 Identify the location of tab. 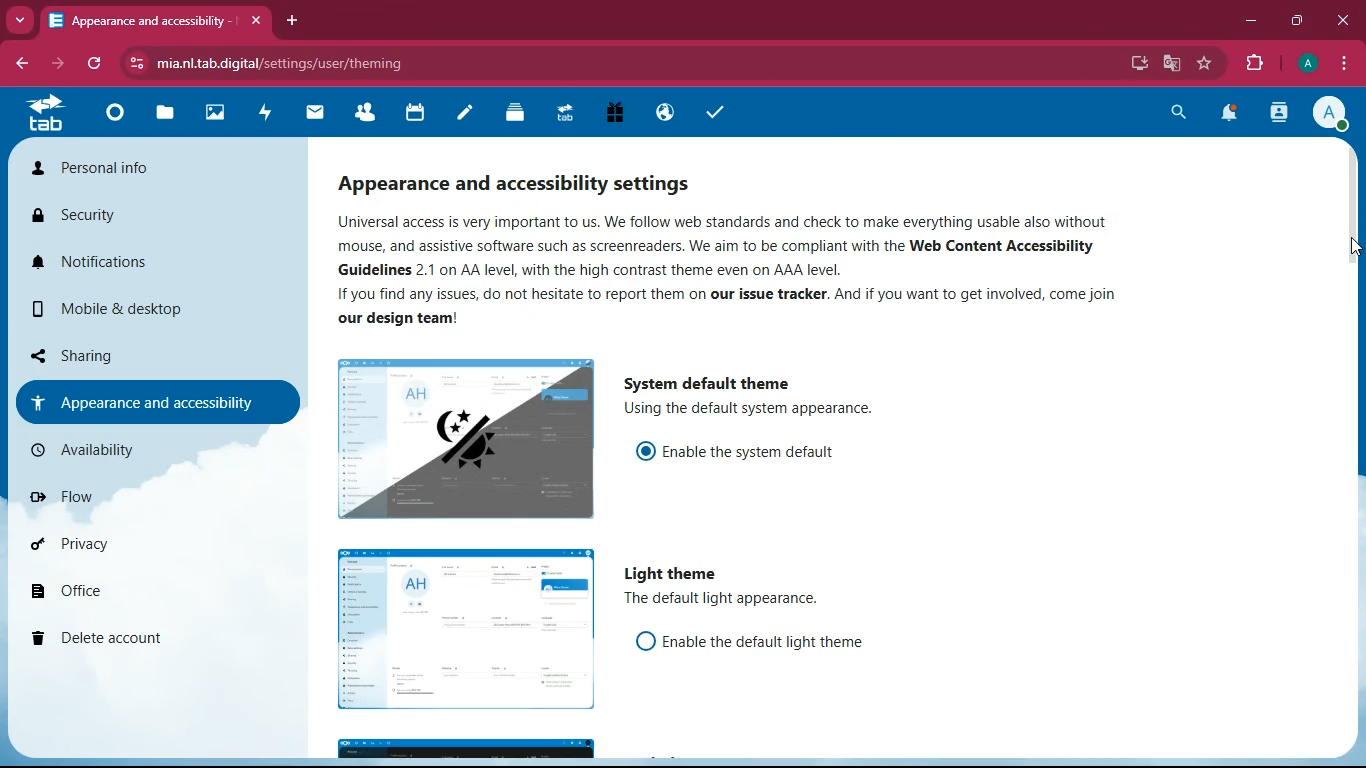
(44, 113).